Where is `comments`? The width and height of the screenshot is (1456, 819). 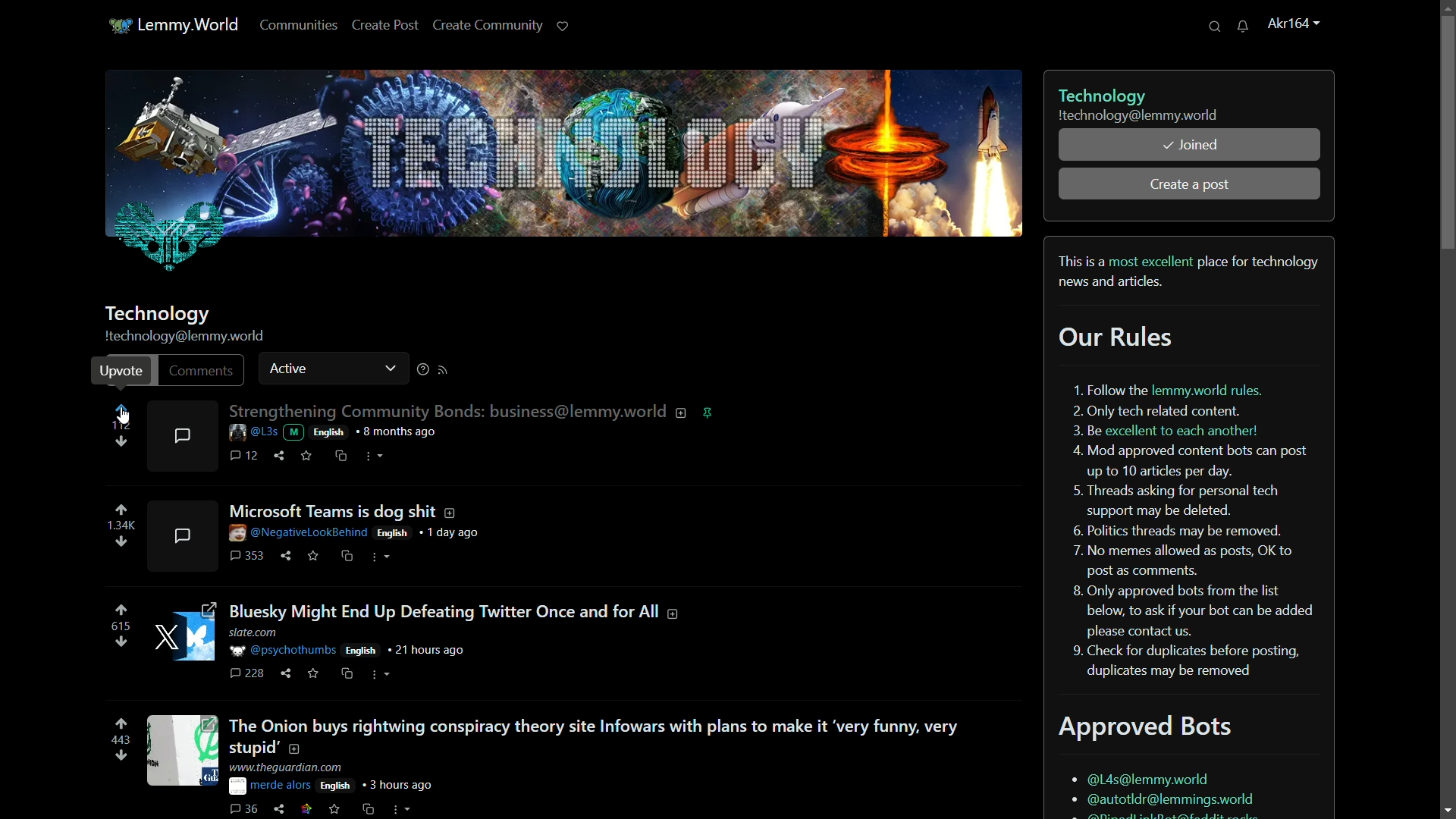 comments is located at coordinates (244, 673).